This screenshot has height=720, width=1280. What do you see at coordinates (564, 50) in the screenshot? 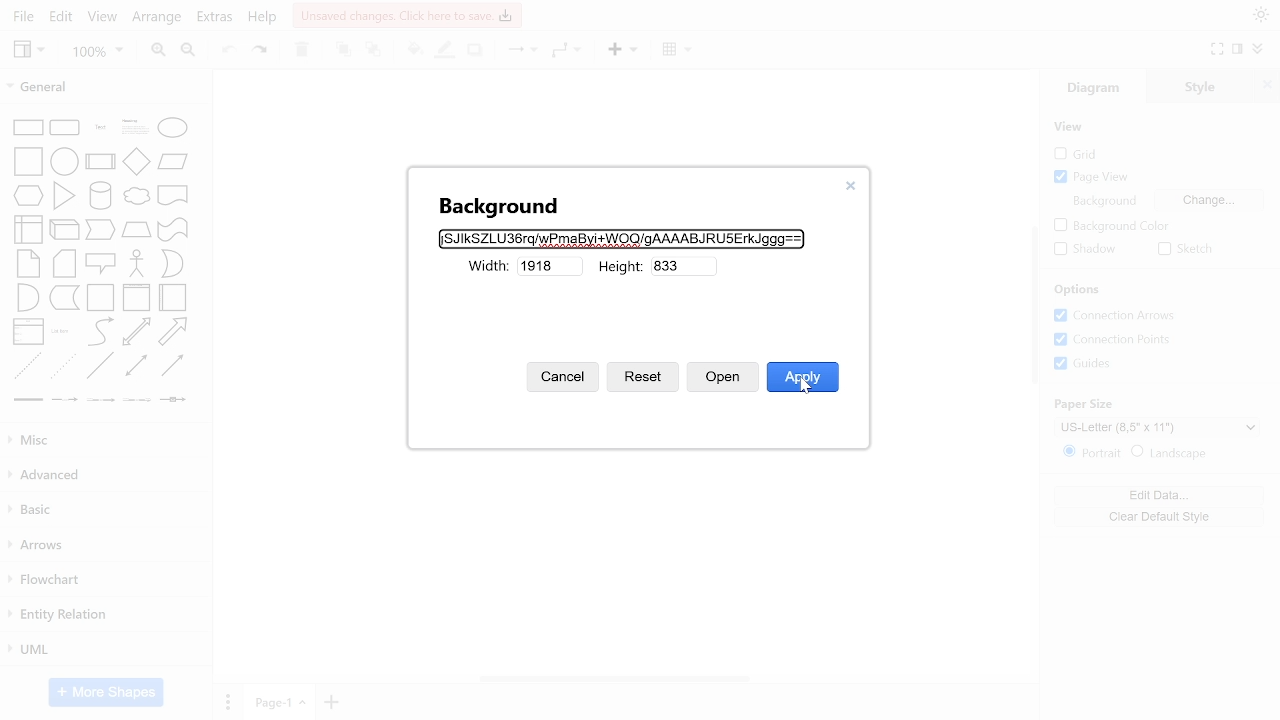
I see `waypoints` at bounding box center [564, 50].